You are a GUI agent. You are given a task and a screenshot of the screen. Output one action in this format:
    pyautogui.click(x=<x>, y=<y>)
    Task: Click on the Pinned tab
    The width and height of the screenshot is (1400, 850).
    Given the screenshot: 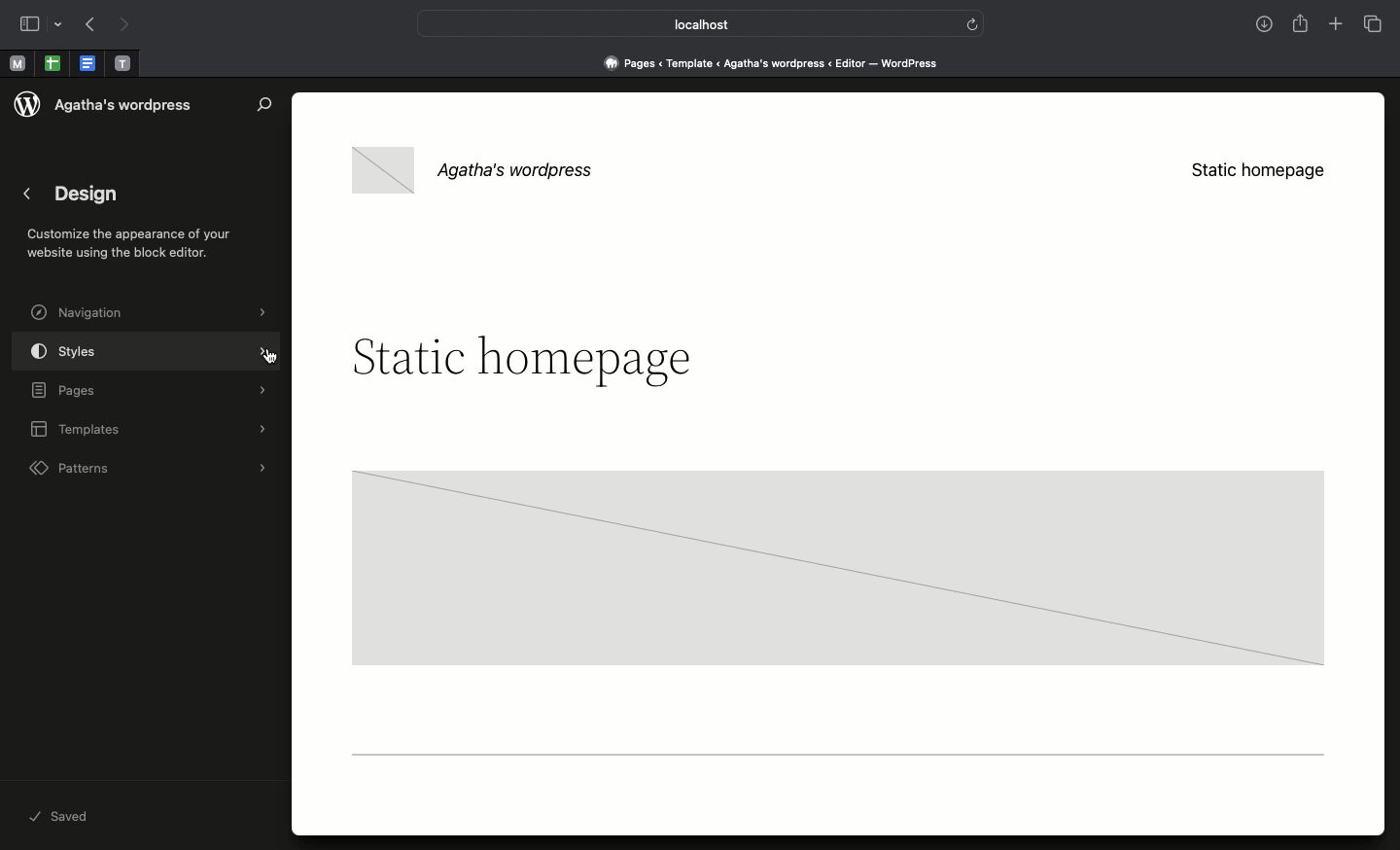 What is the action you would take?
    pyautogui.click(x=123, y=64)
    